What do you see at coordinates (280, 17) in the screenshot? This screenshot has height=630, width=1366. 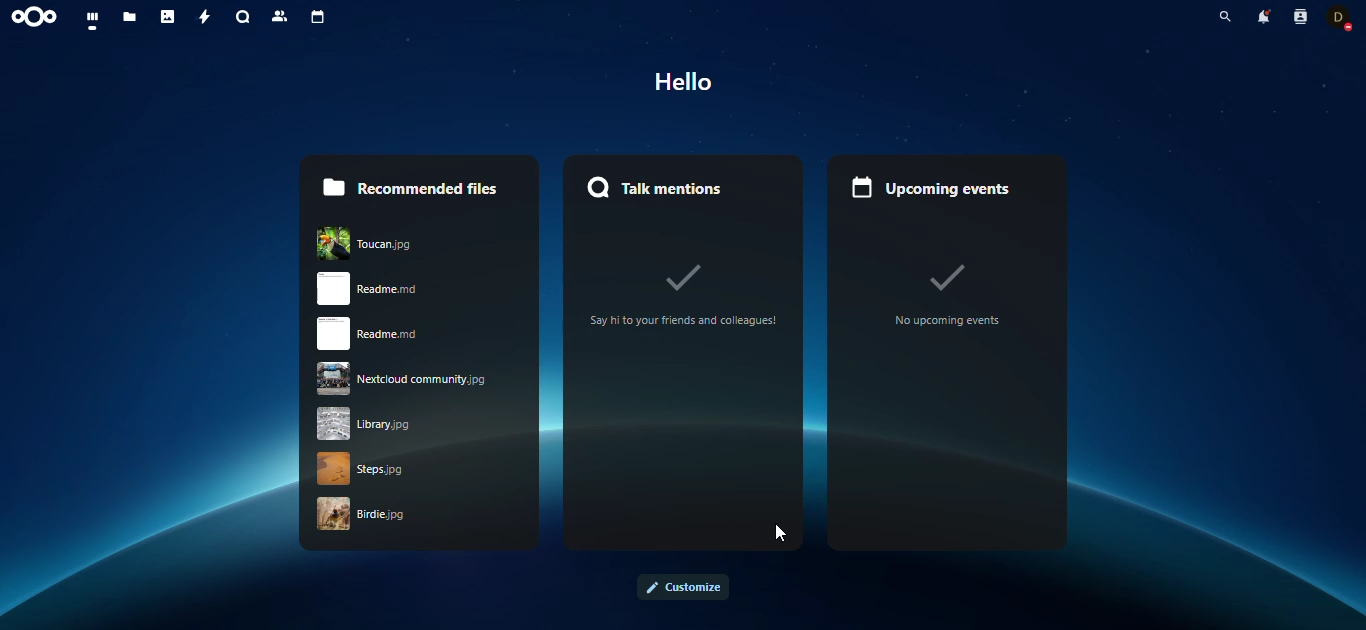 I see `contacts` at bounding box center [280, 17].